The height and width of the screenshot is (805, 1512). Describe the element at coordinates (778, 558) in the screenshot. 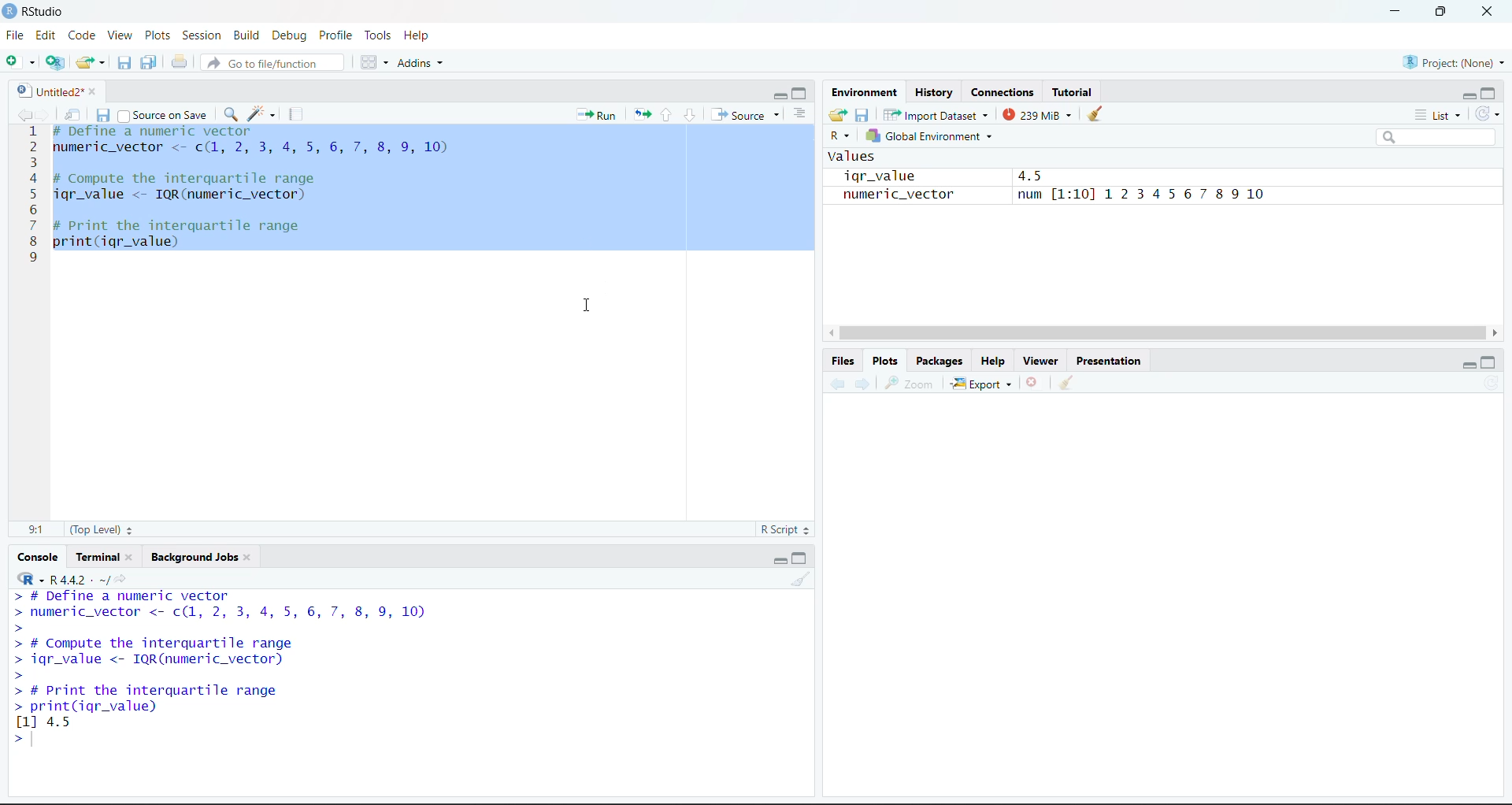

I see `Minimize` at that location.